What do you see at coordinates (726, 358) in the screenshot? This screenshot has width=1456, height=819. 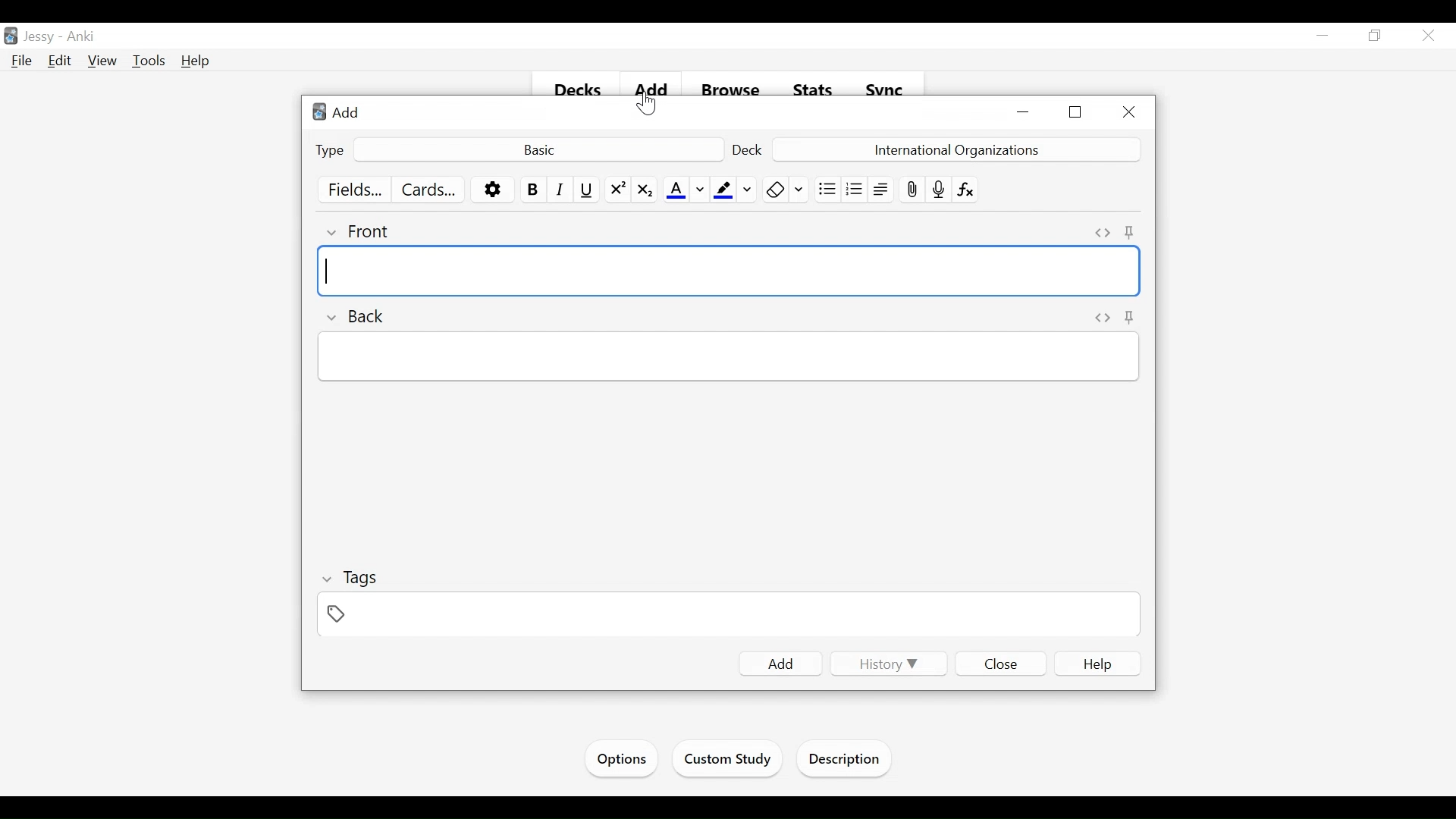 I see `Back Field` at bounding box center [726, 358].